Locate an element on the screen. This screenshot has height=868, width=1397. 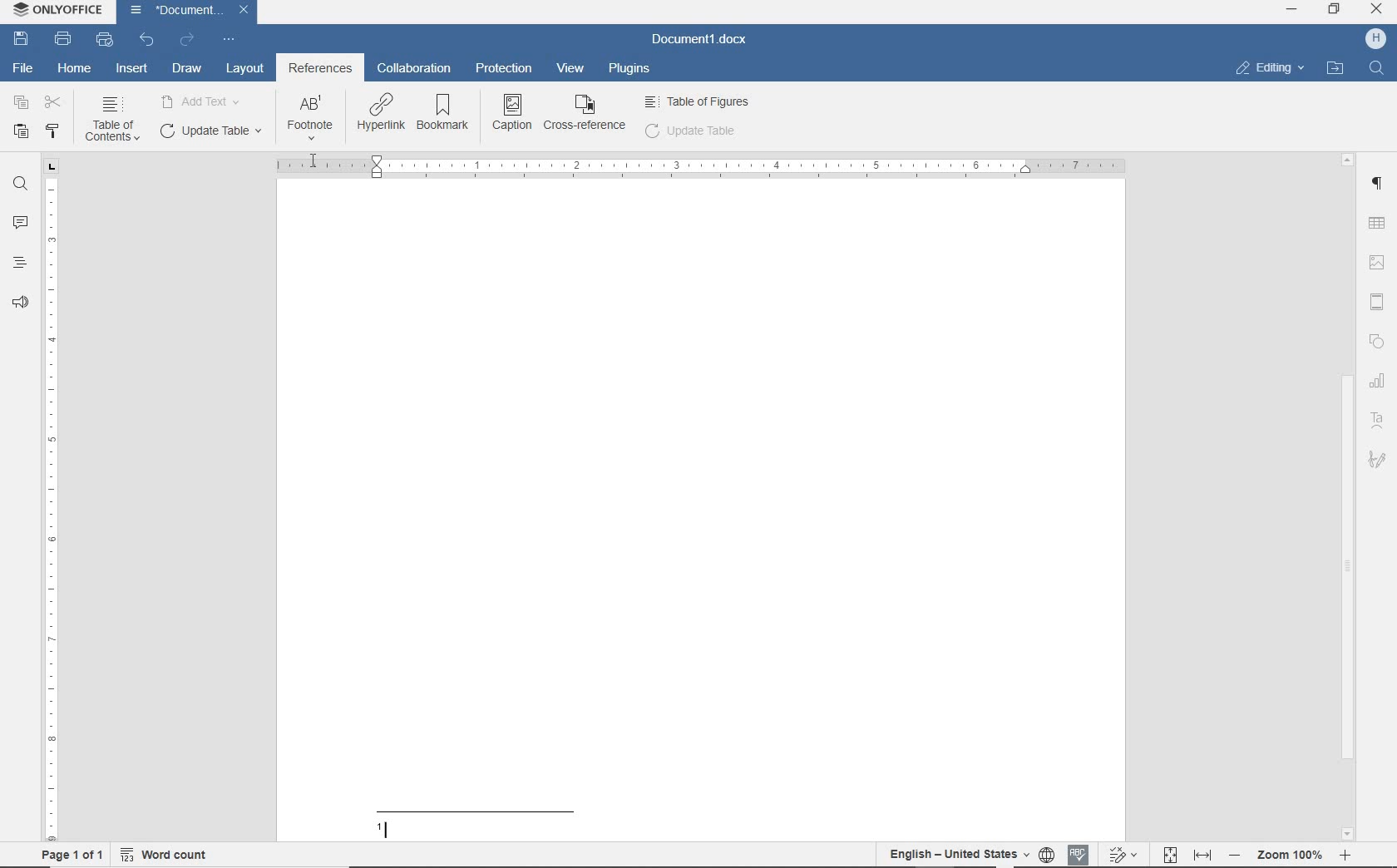
cross-reference is located at coordinates (587, 114).